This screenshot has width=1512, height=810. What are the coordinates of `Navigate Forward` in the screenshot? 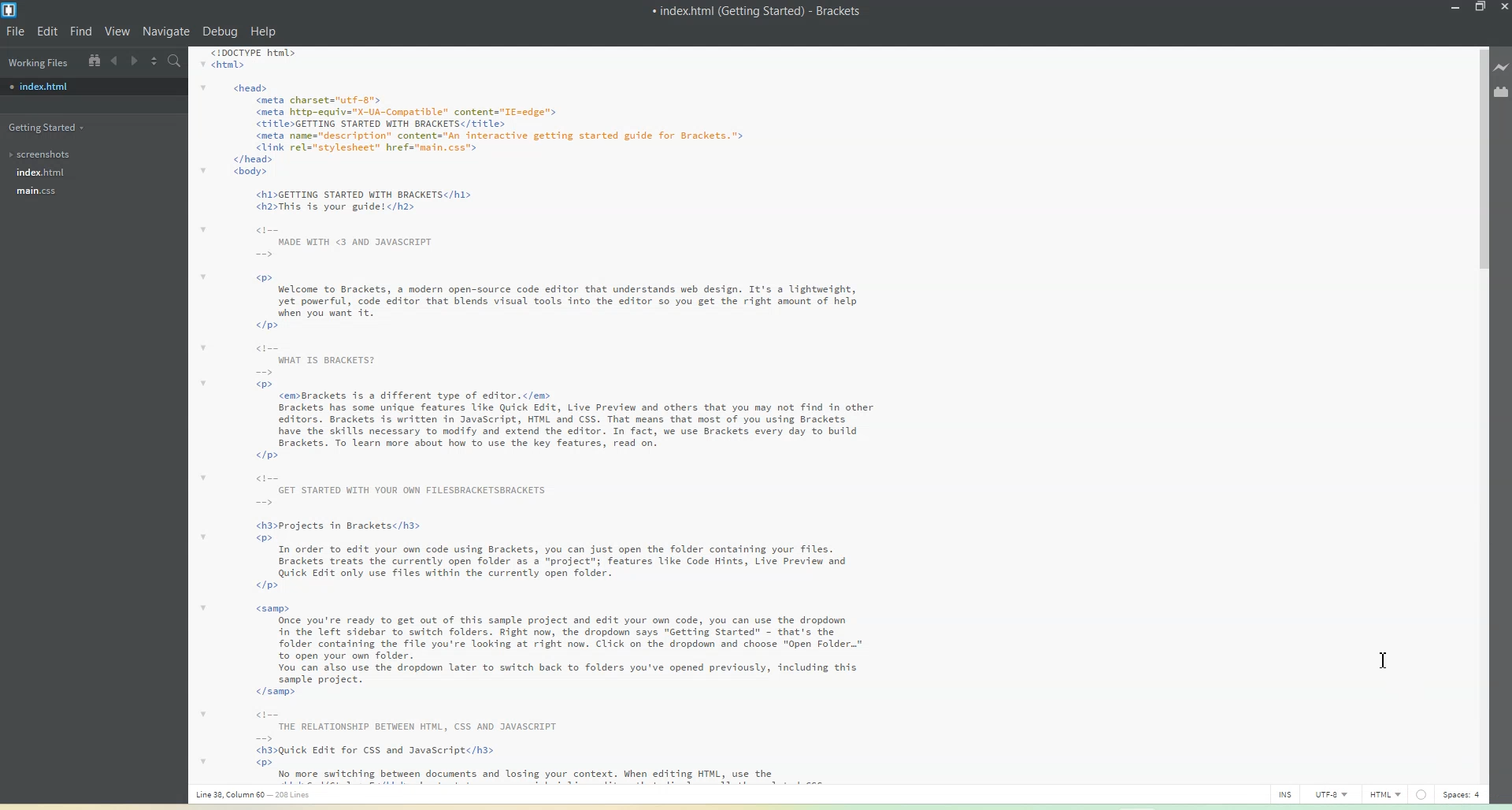 It's located at (135, 61).